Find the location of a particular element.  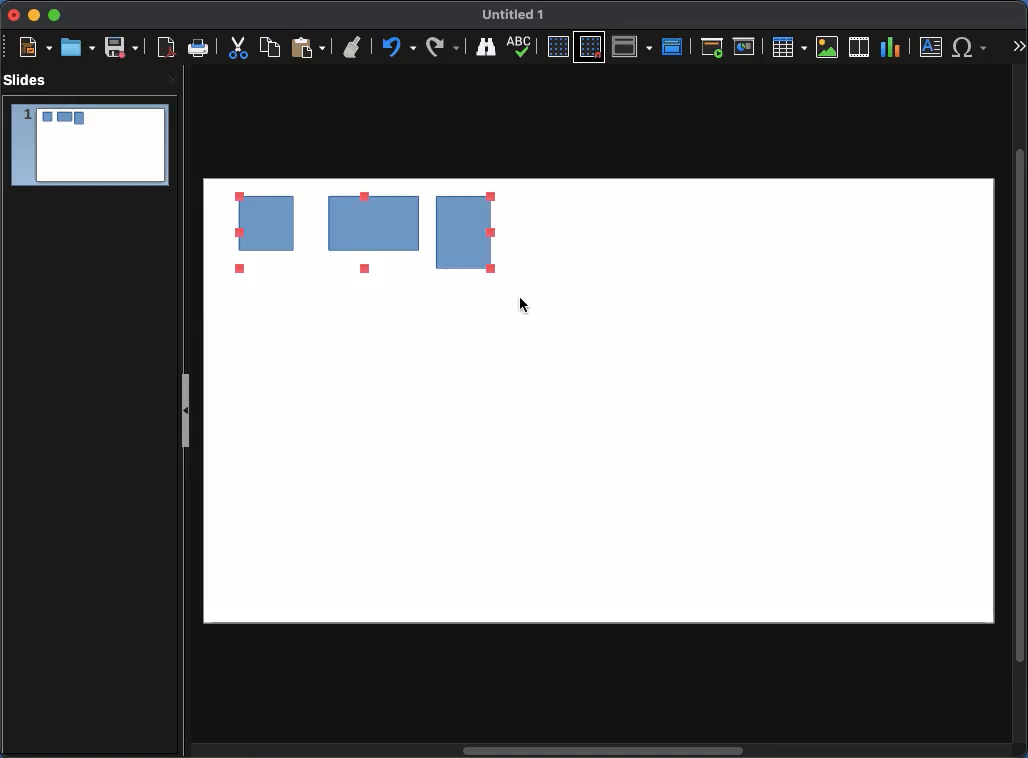

Redo is located at coordinates (396, 47).